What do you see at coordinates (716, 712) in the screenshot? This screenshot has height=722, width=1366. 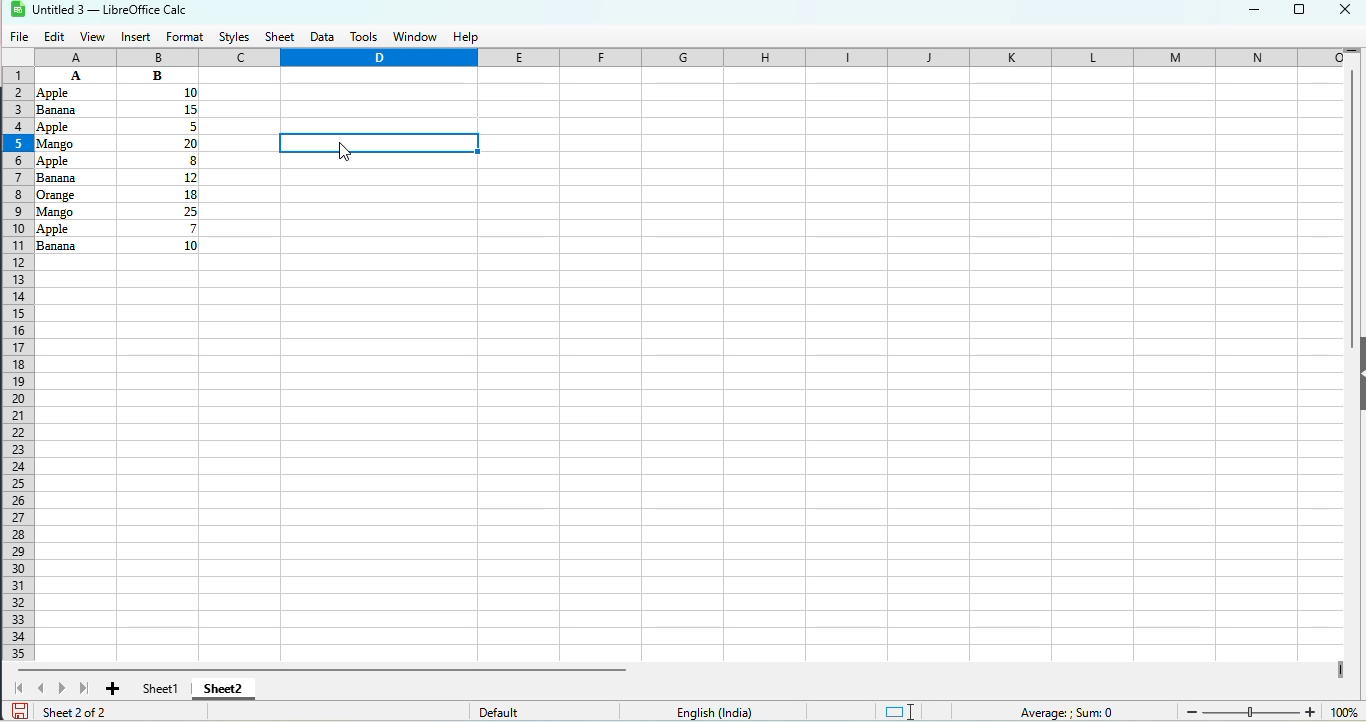 I see `text language` at bounding box center [716, 712].